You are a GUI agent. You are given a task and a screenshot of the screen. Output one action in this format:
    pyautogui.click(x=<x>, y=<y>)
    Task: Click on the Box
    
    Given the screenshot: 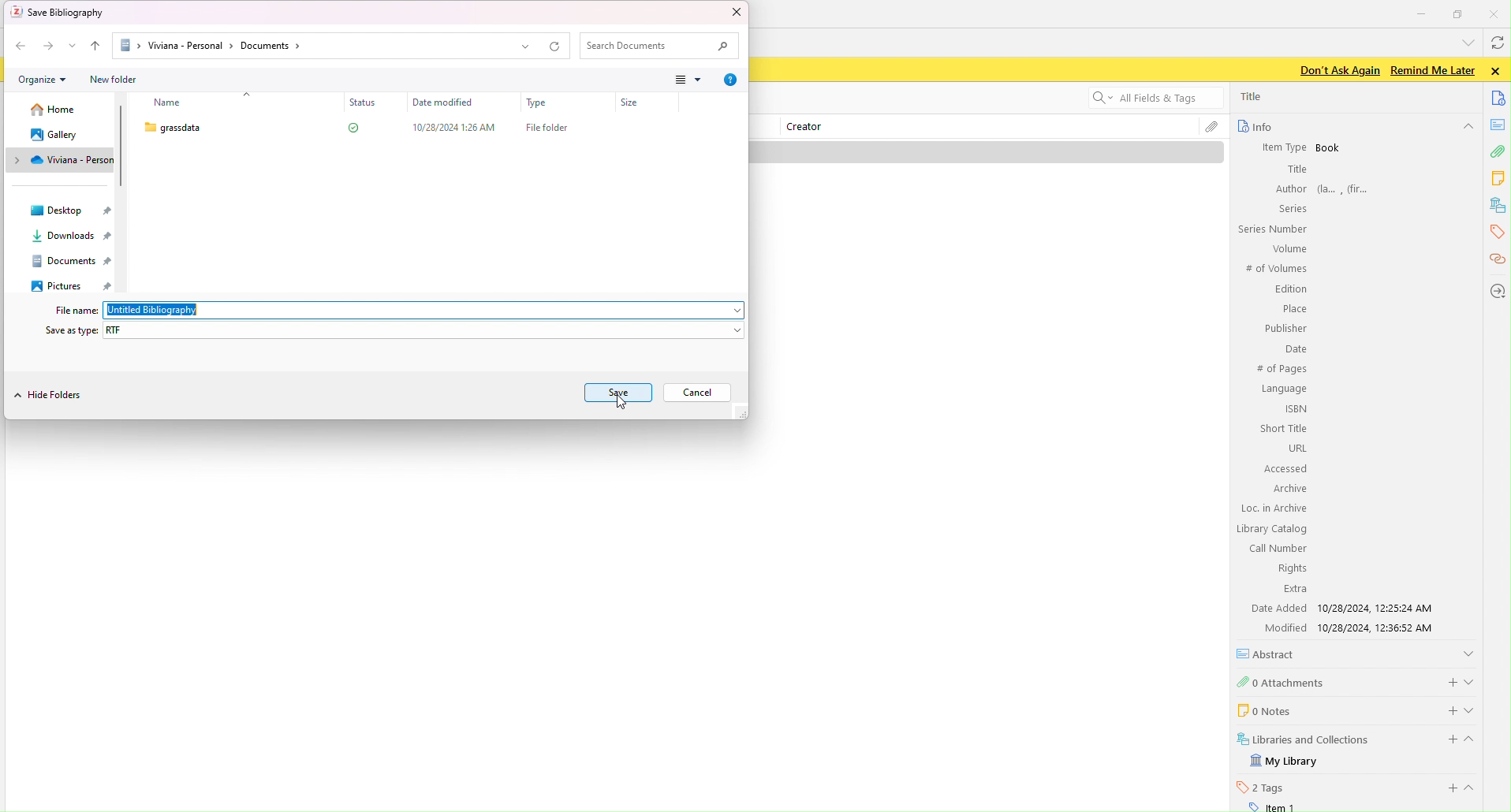 What is the action you would take?
    pyautogui.click(x=414, y=135)
    